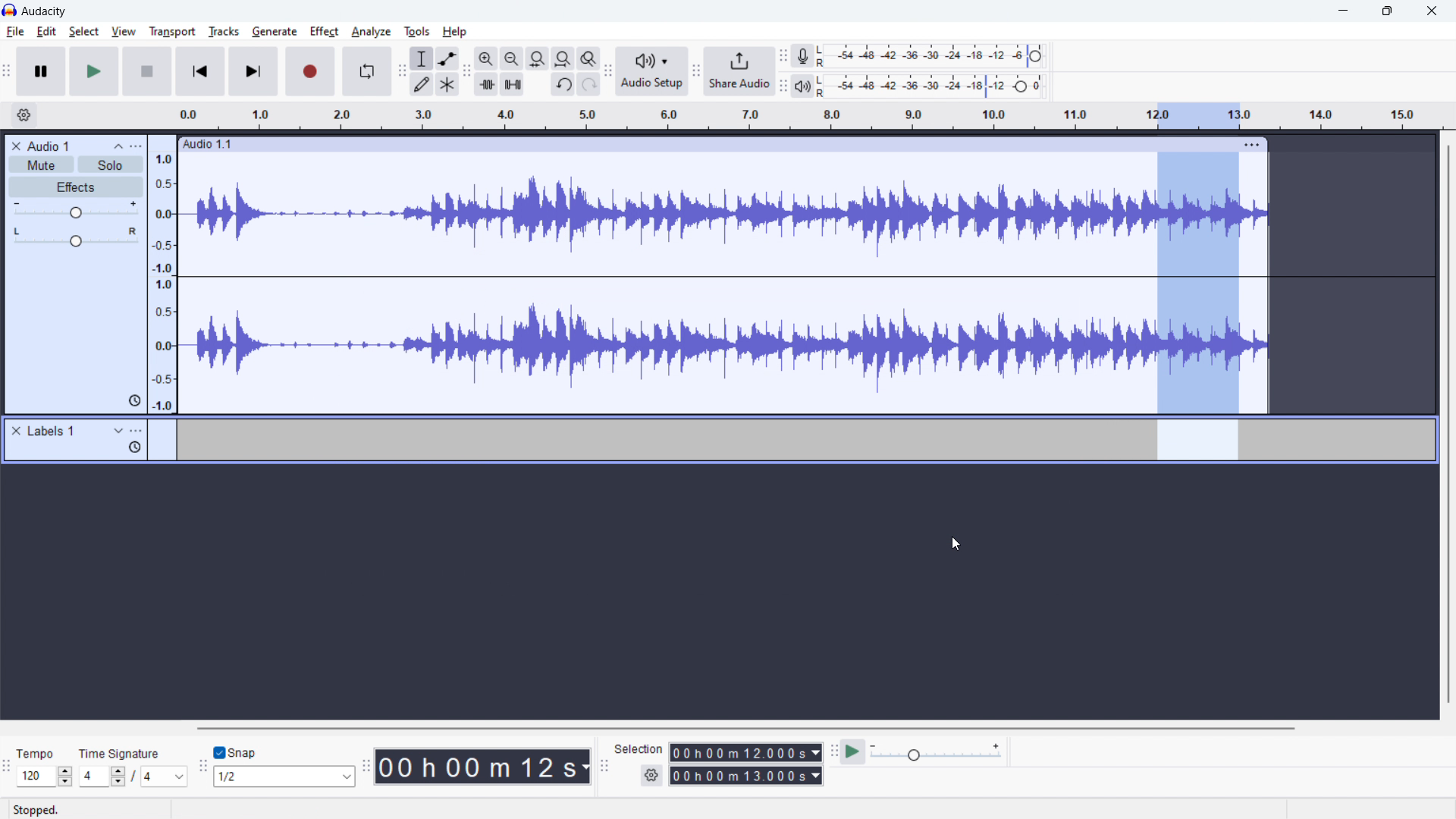 This screenshot has height=819, width=1456. I want to click on vertical scrollbar, so click(1447, 426).